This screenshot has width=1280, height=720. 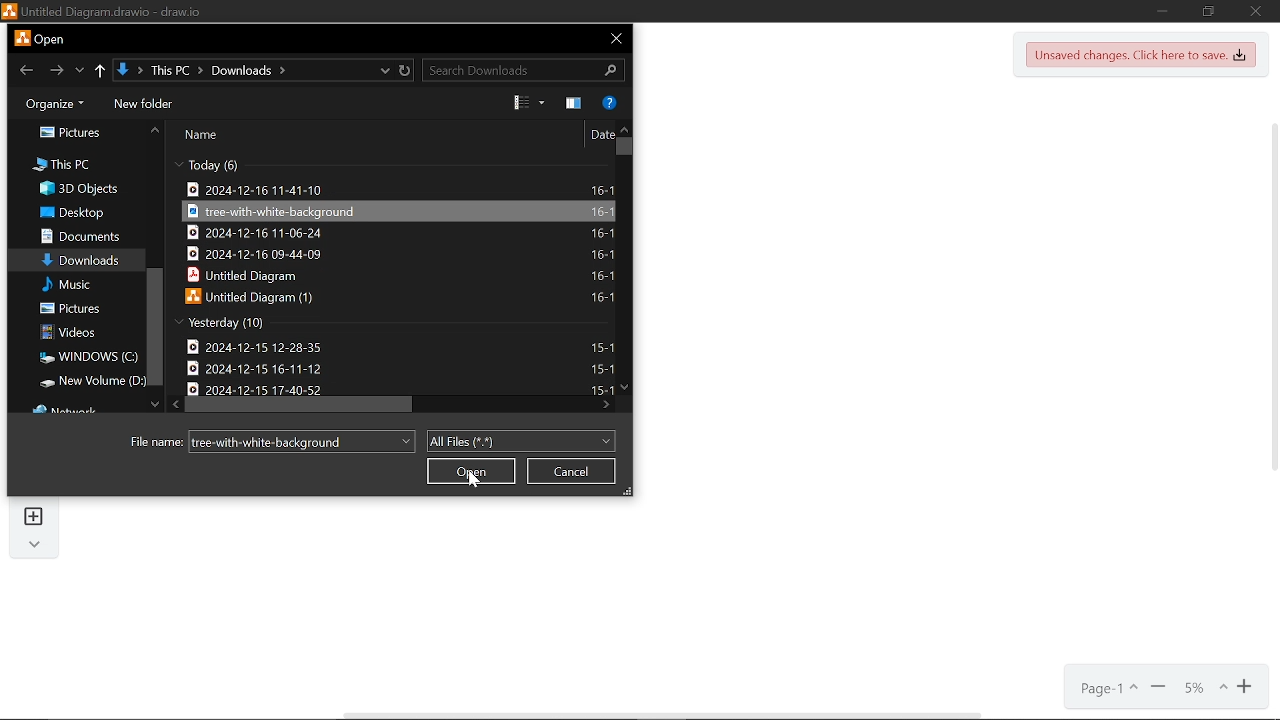 I want to click on File titled "2024-12-16 11-41-10", so click(x=402, y=189).